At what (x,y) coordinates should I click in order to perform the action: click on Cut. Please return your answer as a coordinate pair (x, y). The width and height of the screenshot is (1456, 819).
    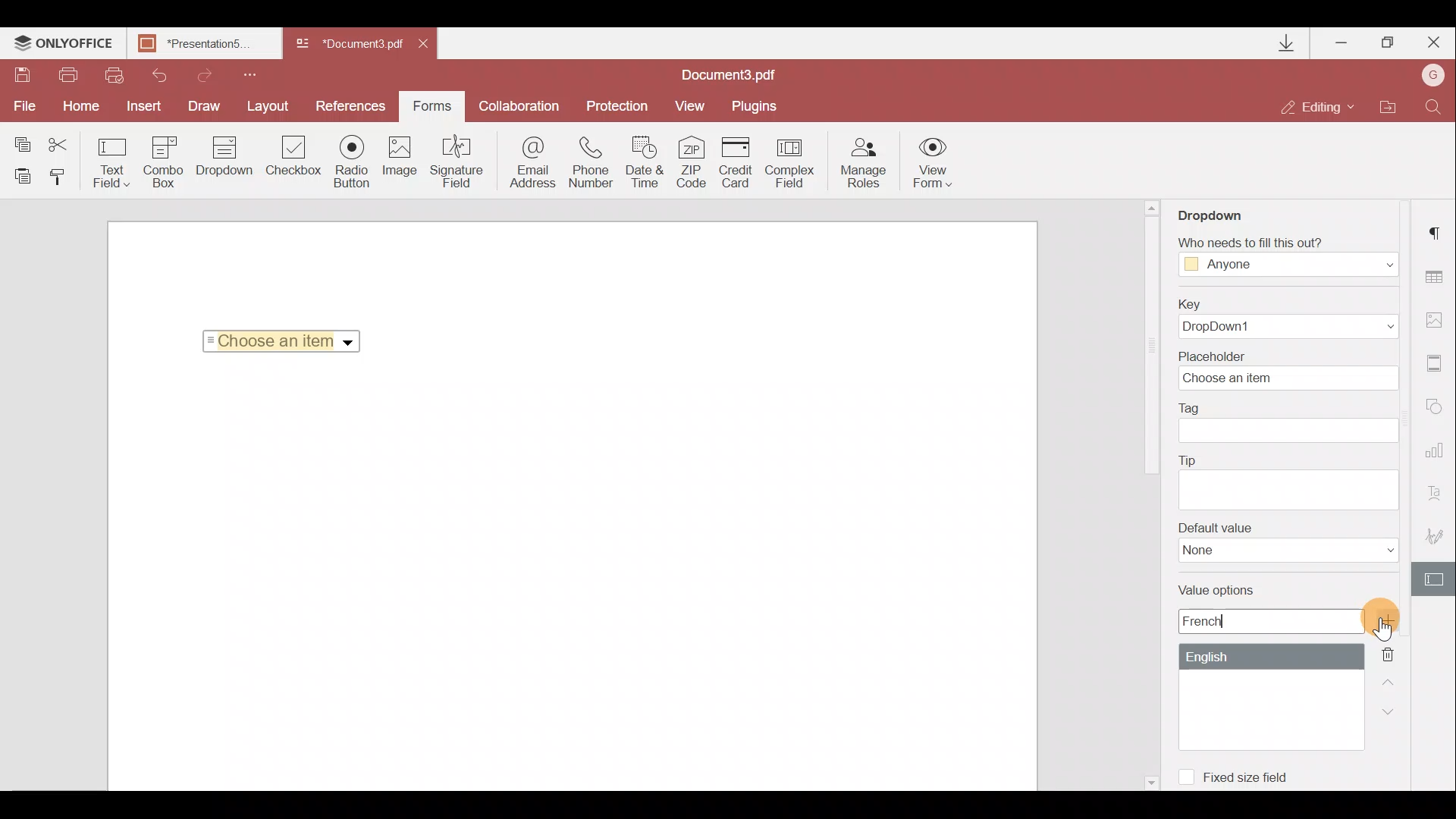
    Looking at the image, I should click on (67, 142).